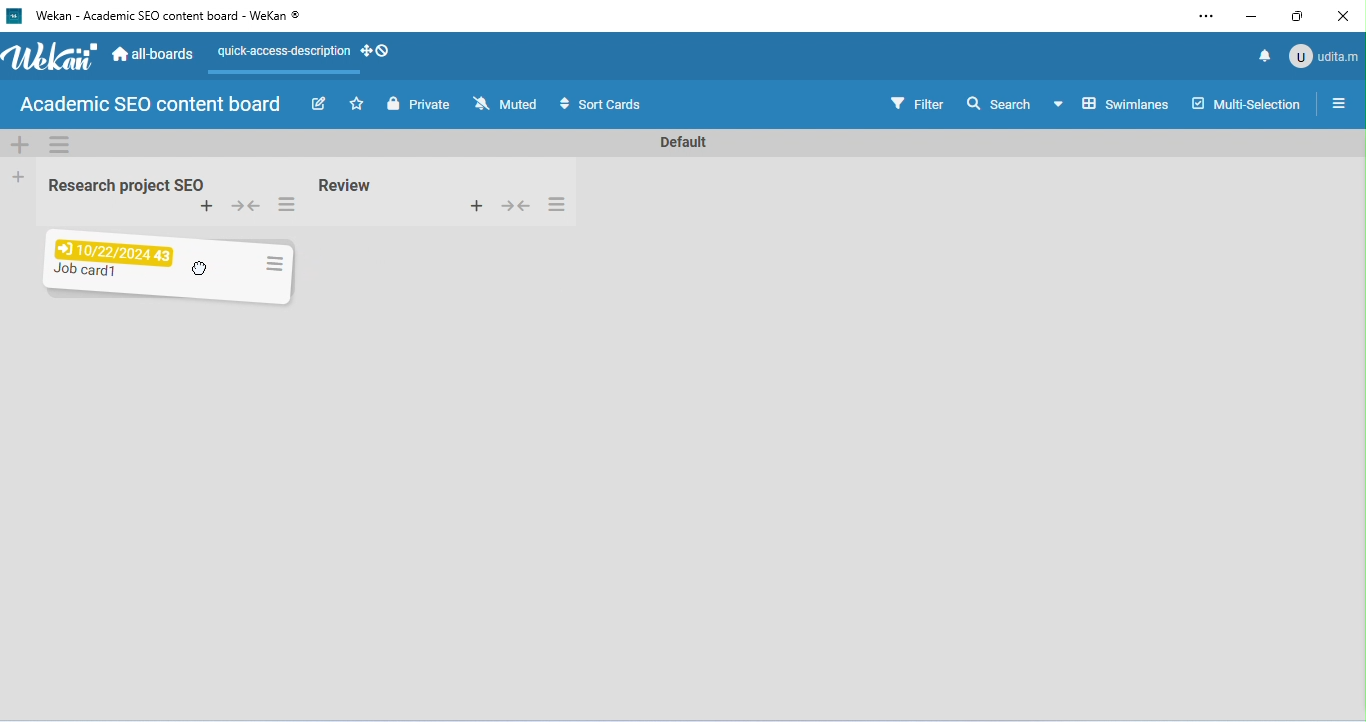 This screenshot has height=722, width=1366. Describe the element at coordinates (203, 280) in the screenshot. I see `cursor` at that location.